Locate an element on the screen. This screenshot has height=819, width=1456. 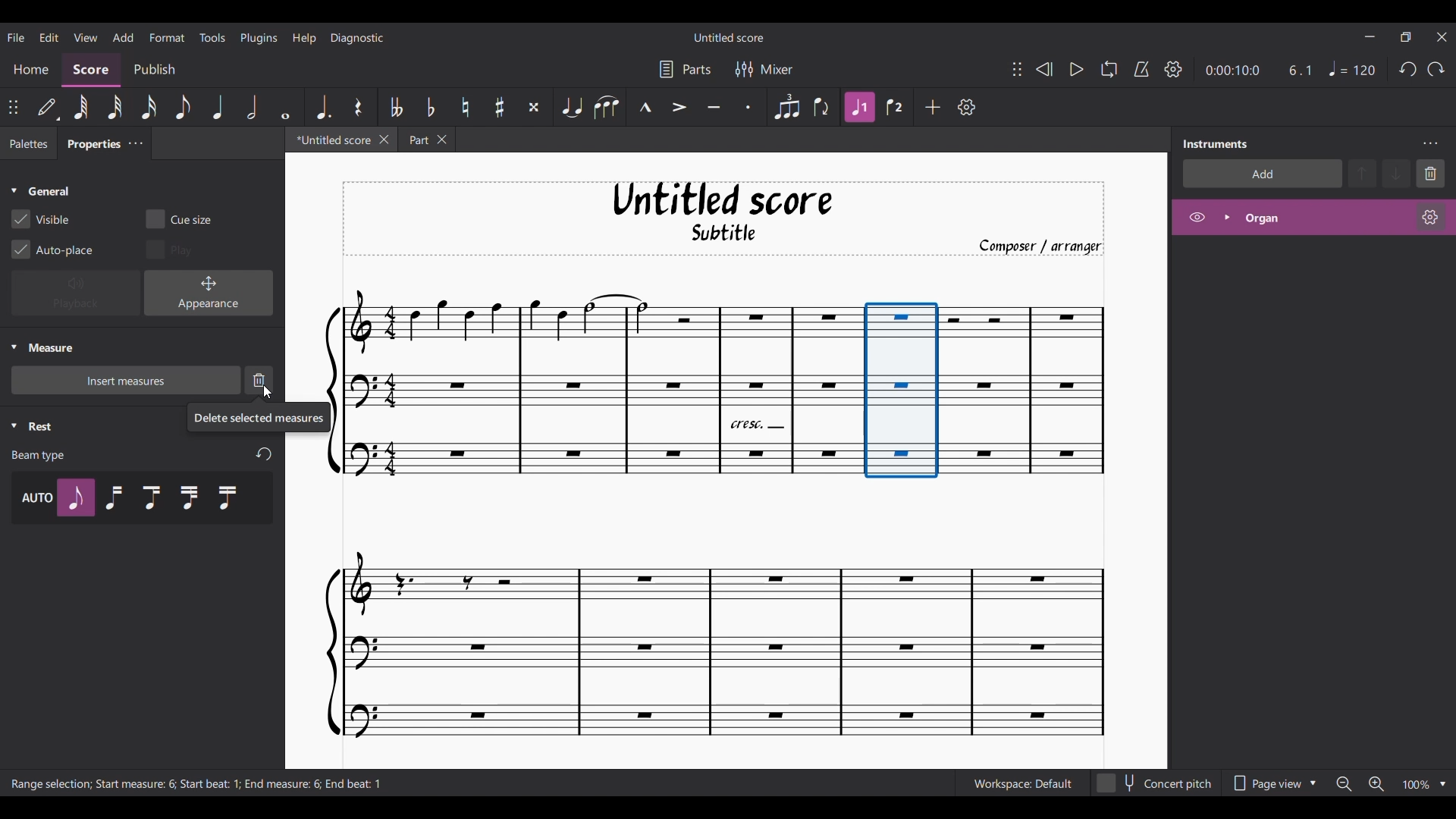
Zoom in is located at coordinates (1376, 784).